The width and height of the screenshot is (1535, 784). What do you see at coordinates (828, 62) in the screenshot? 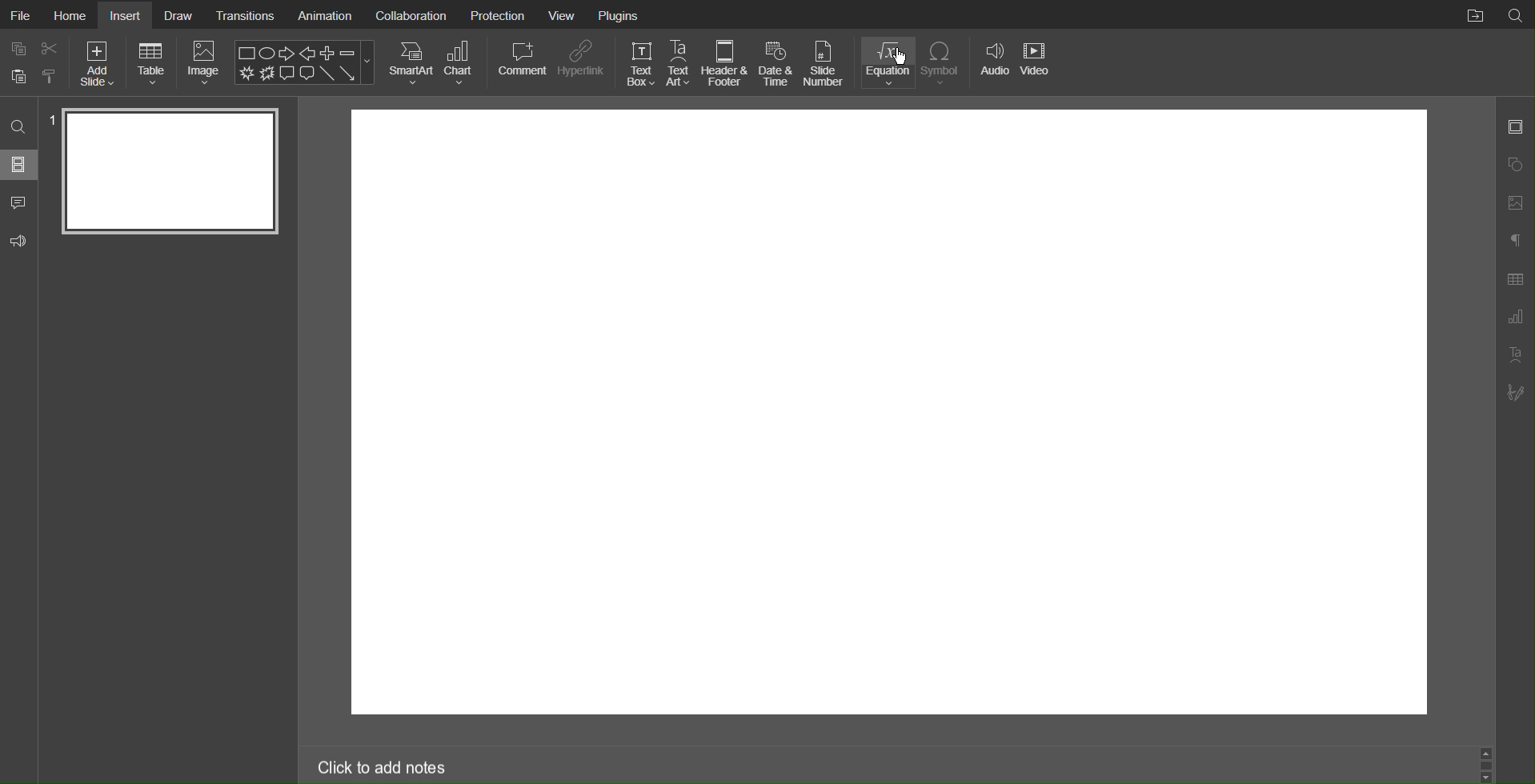
I see `Slide Number ` at bounding box center [828, 62].